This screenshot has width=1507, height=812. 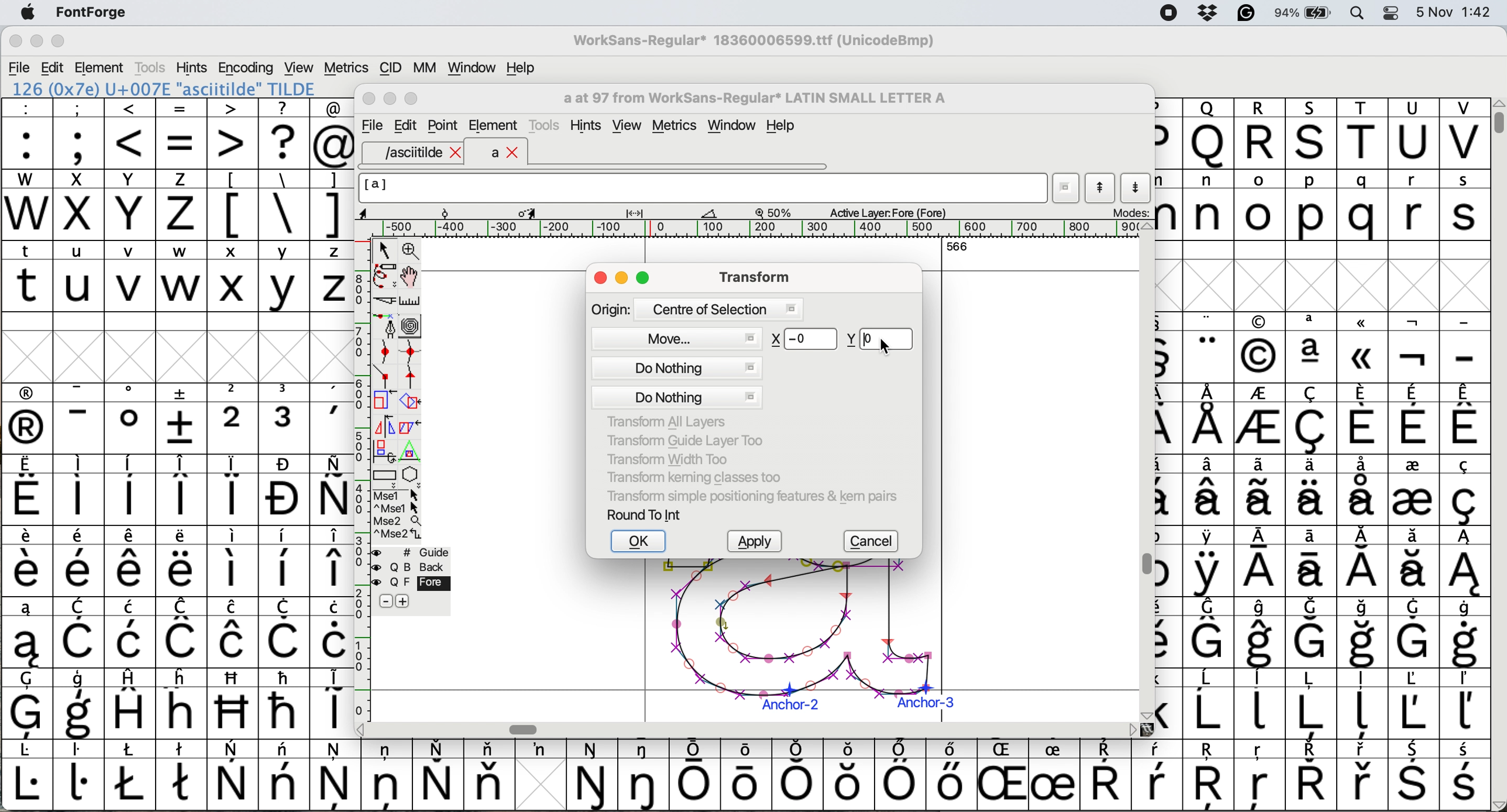 What do you see at coordinates (29, 205) in the screenshot?
I see `W` at bounding box center [29, 205].